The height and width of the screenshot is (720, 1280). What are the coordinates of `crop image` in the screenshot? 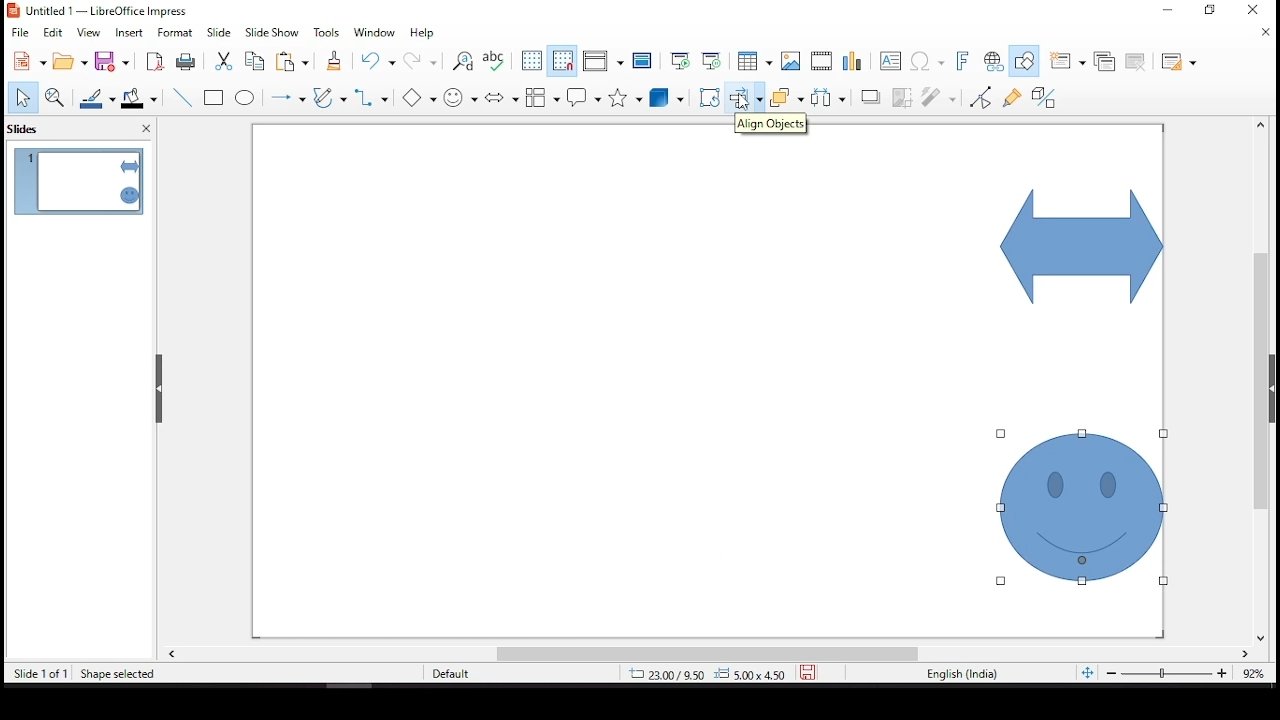 It's located at (898, 96).